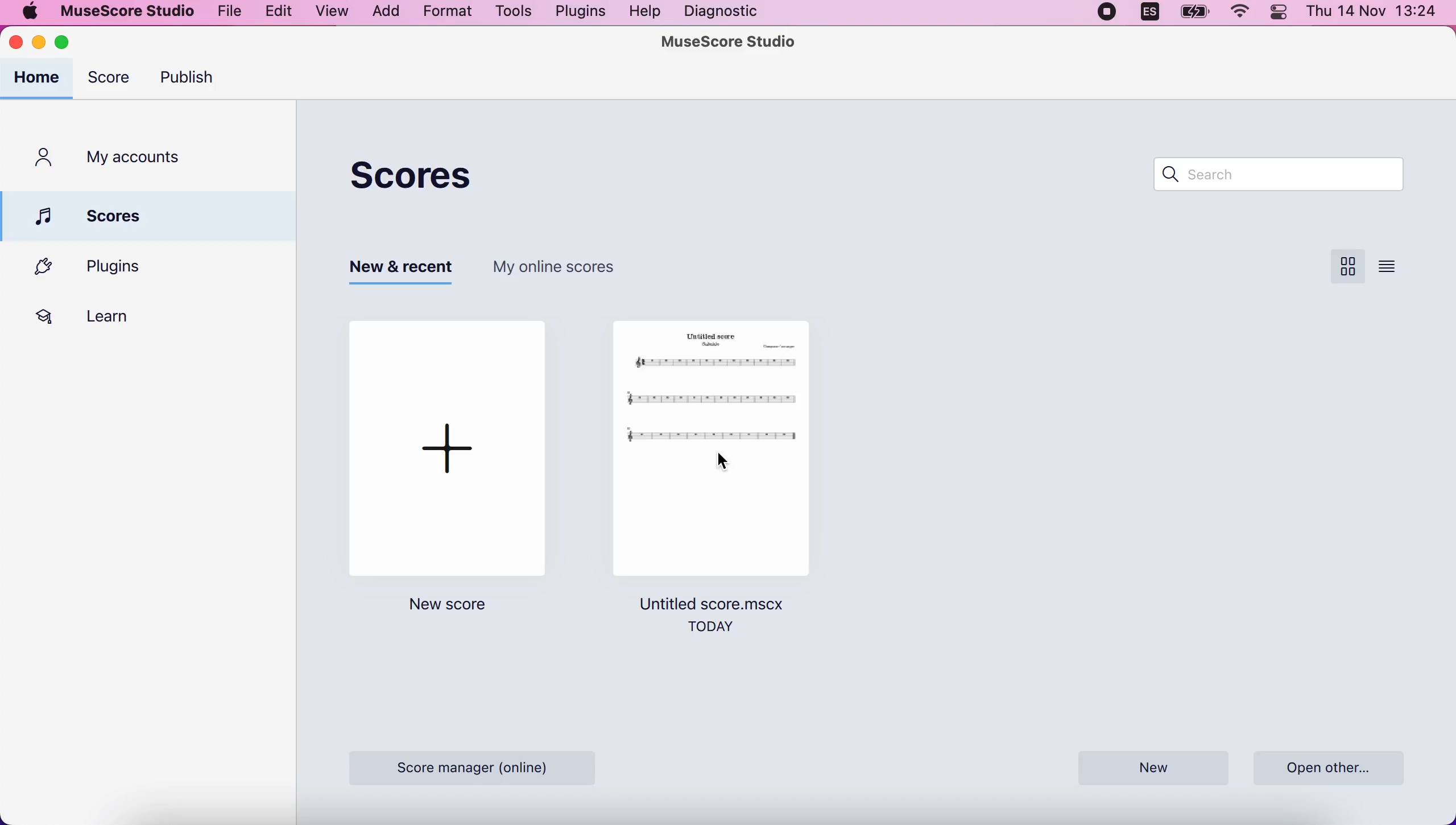 The width and height of the screenshot is (1456, 825). I want to click on musescore studio, so click(728, 41).